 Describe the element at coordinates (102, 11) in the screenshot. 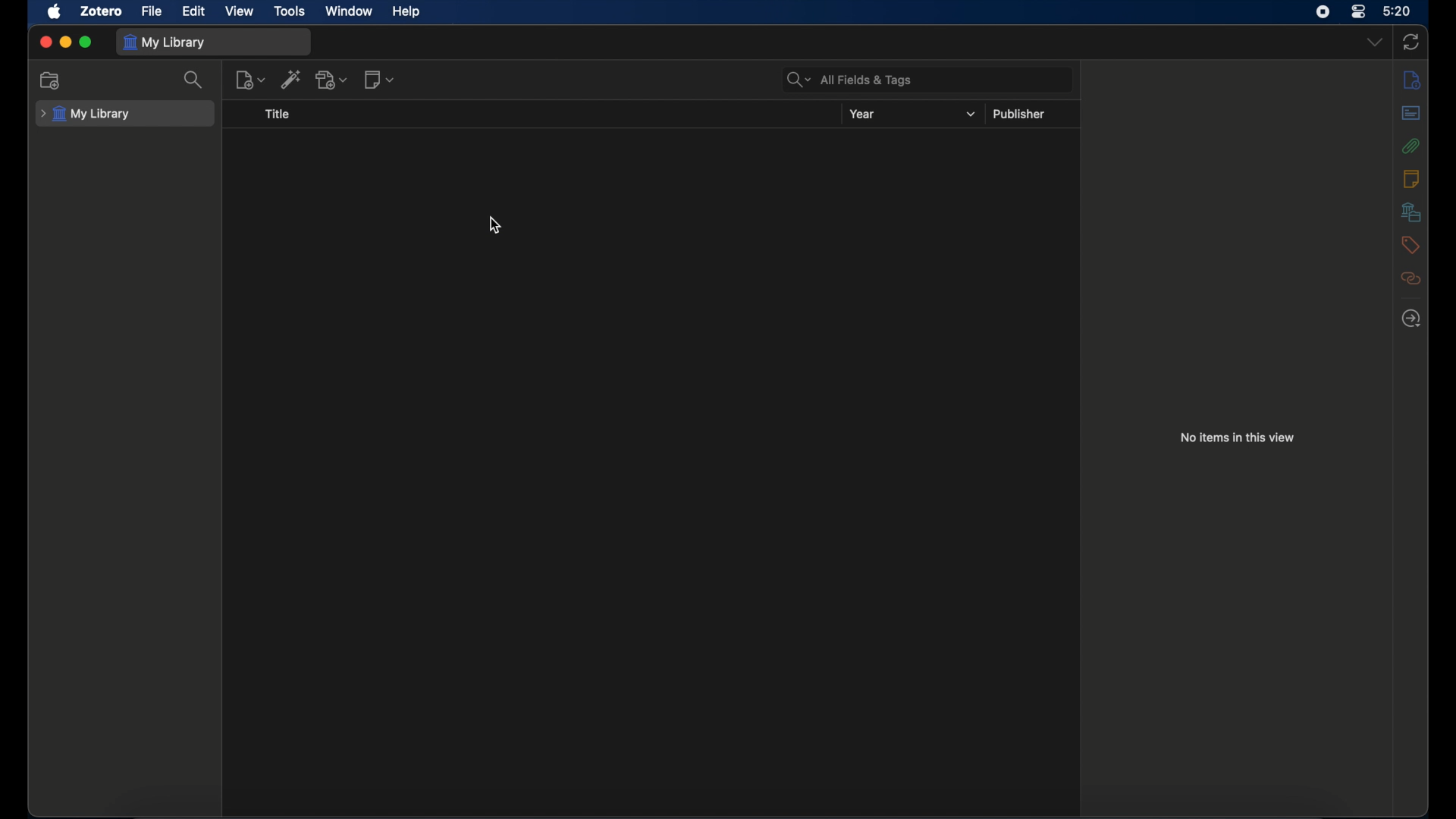

I see `zotero` at that location.